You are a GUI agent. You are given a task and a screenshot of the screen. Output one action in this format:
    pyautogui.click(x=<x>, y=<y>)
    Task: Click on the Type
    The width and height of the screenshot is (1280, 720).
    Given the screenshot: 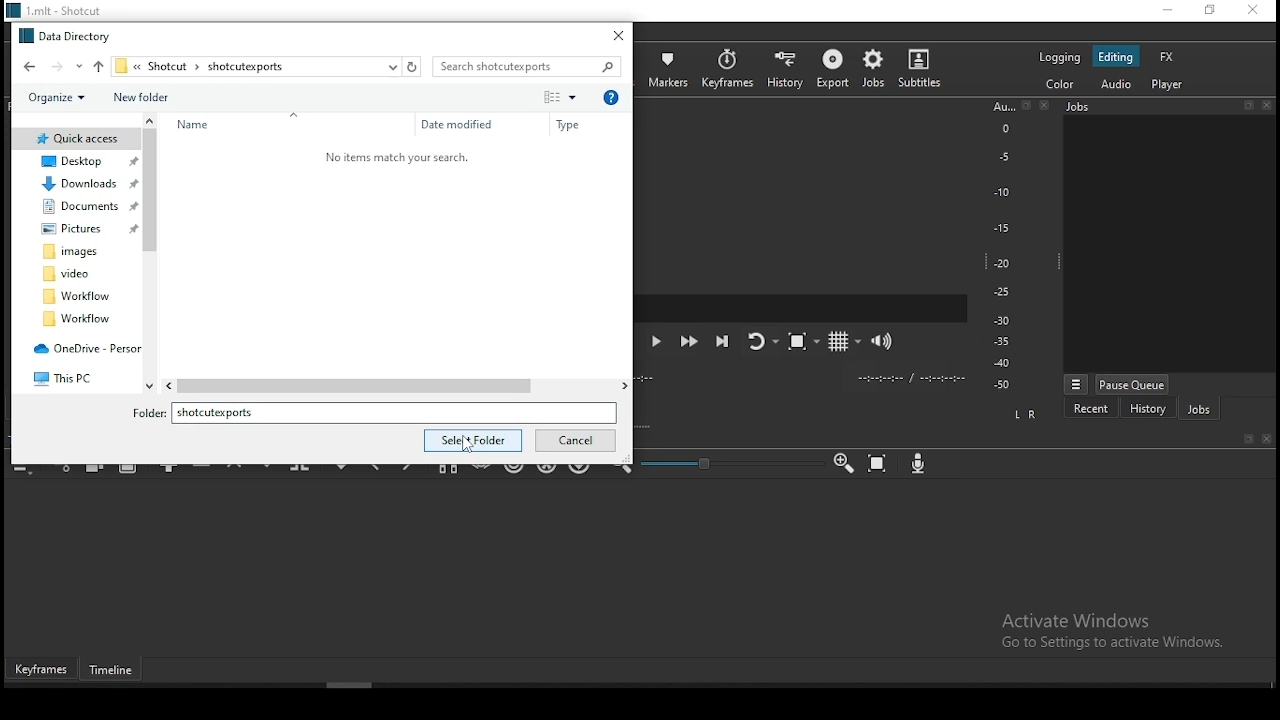 What is the action you would take?
    pyautogui.click(x=611, y=96)
    